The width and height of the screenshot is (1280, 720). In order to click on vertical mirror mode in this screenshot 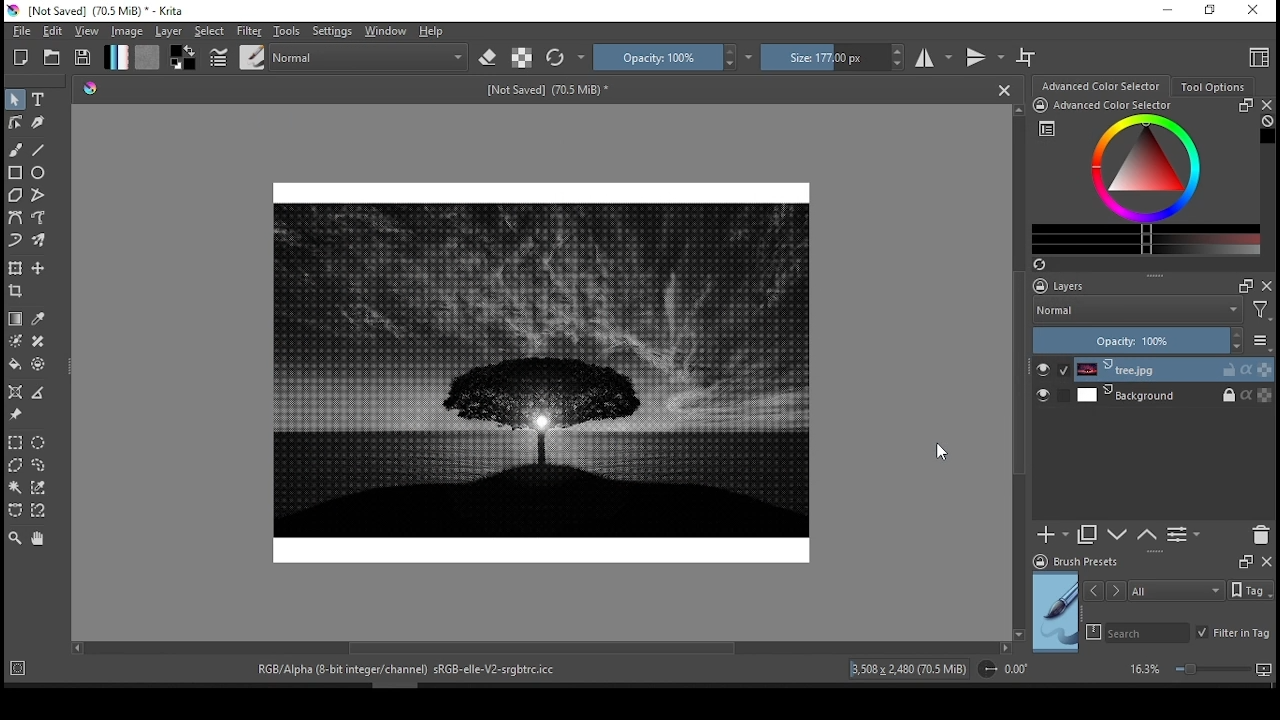, I will do `click(986, 57)`.